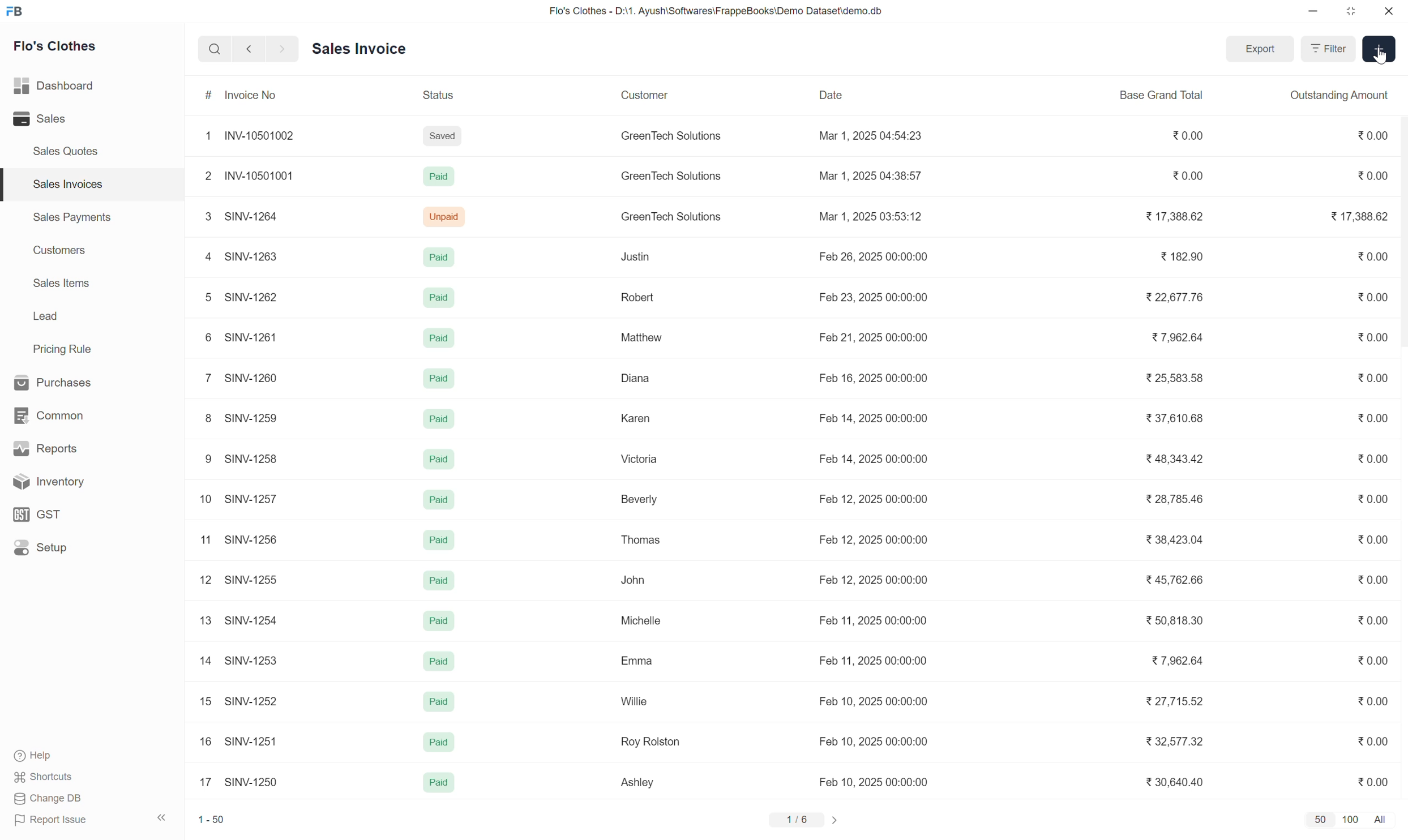 This screenshot has width=1408, height=840. Describe the element at coordinates (79, 513) in the screenshot. I see `GST ` at that location.